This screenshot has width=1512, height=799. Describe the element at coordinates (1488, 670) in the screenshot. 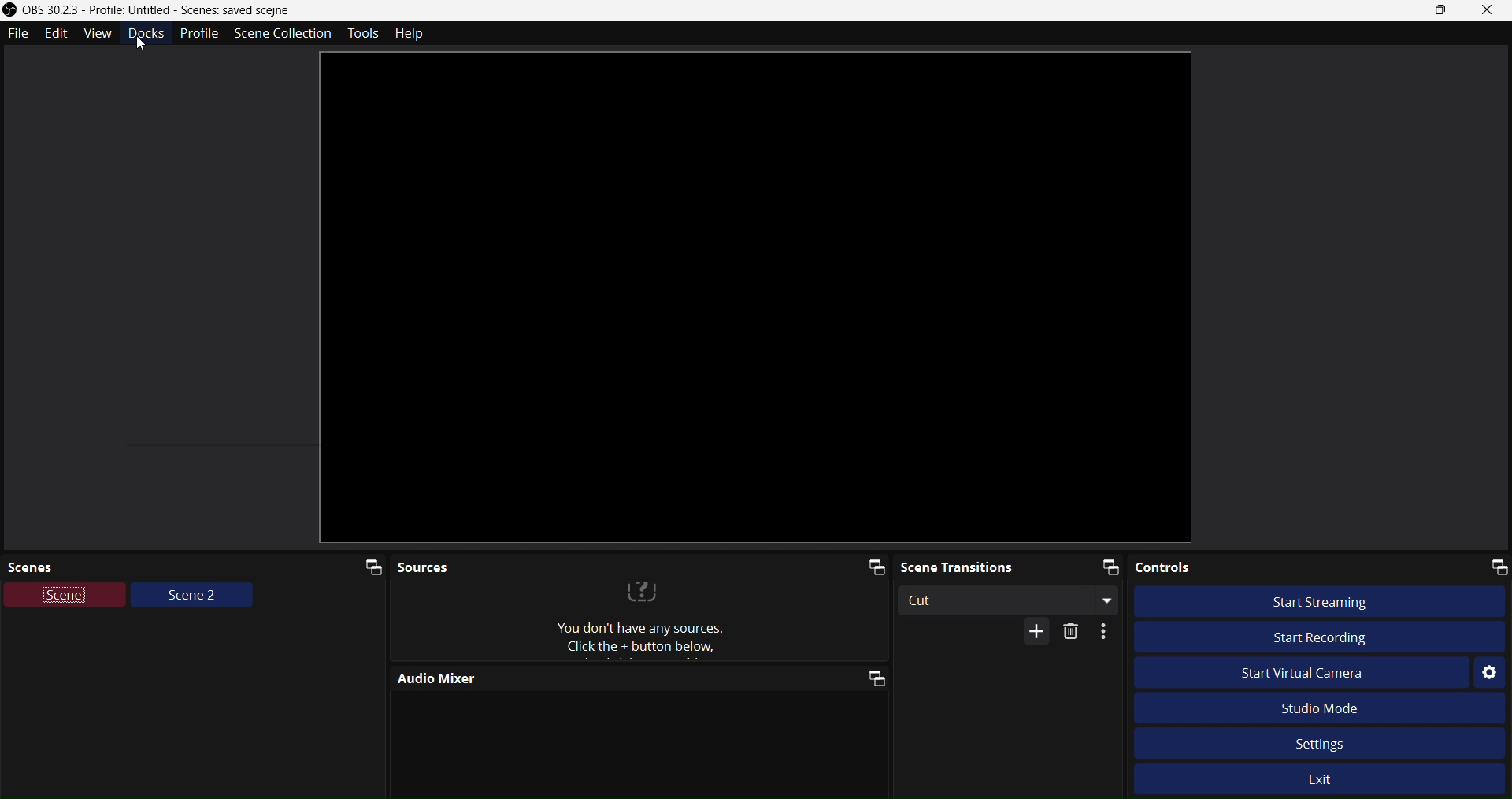

I see `Settings` at that location.